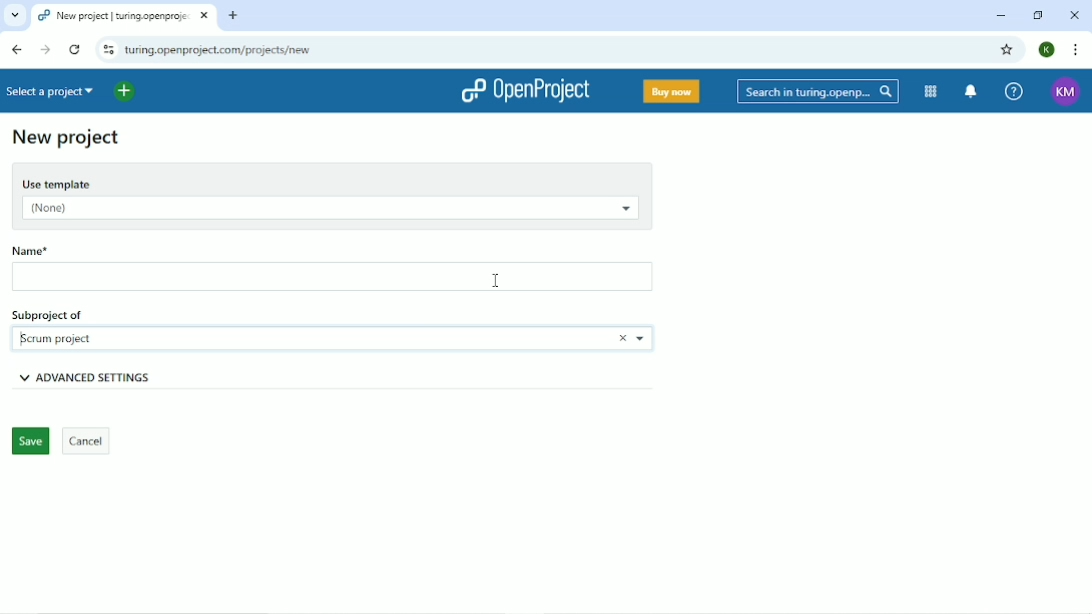 The width and height of the screenshot is (1092, 614). Describe the element at coordinates (1074, 14) in the screenshot. I see `Close` at that location.